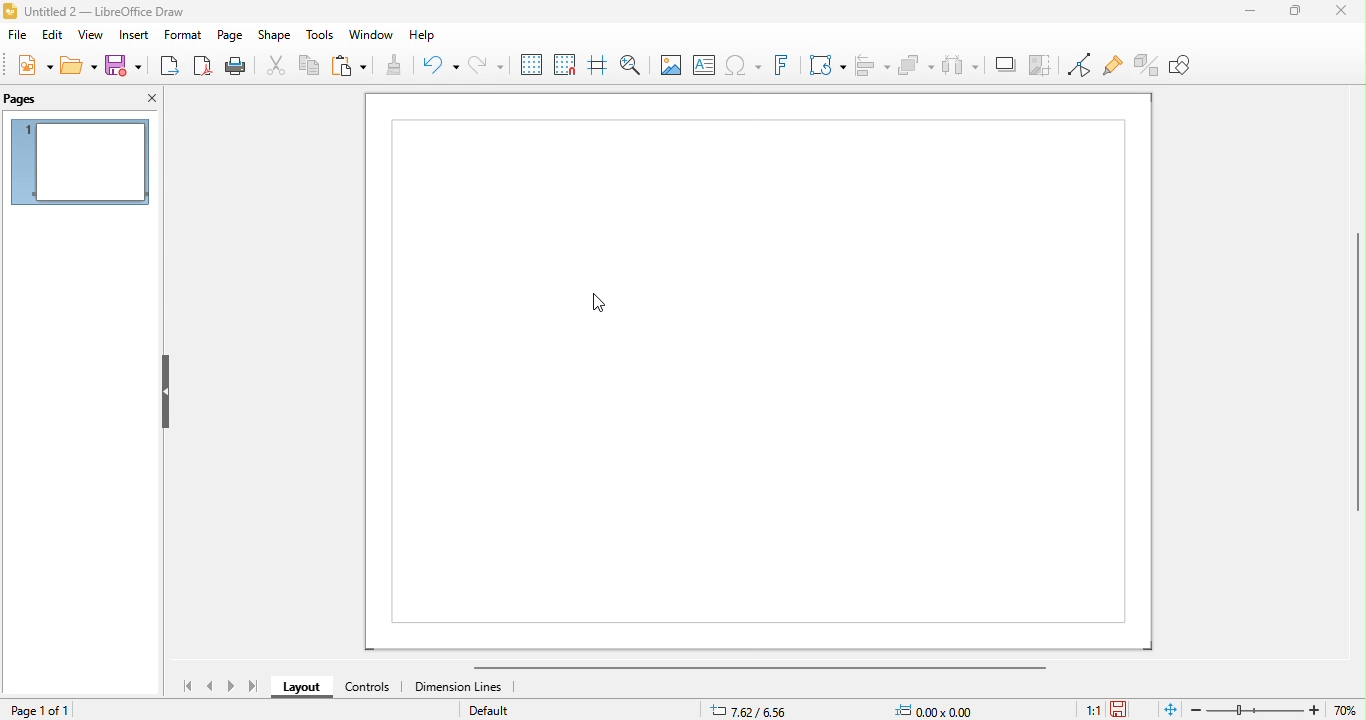 The width and height of the screenshot is (1366, 720). What do you see at coordinates (529, 62) in the screenshot?
I see `display grid` at bounding box center [529, 62].